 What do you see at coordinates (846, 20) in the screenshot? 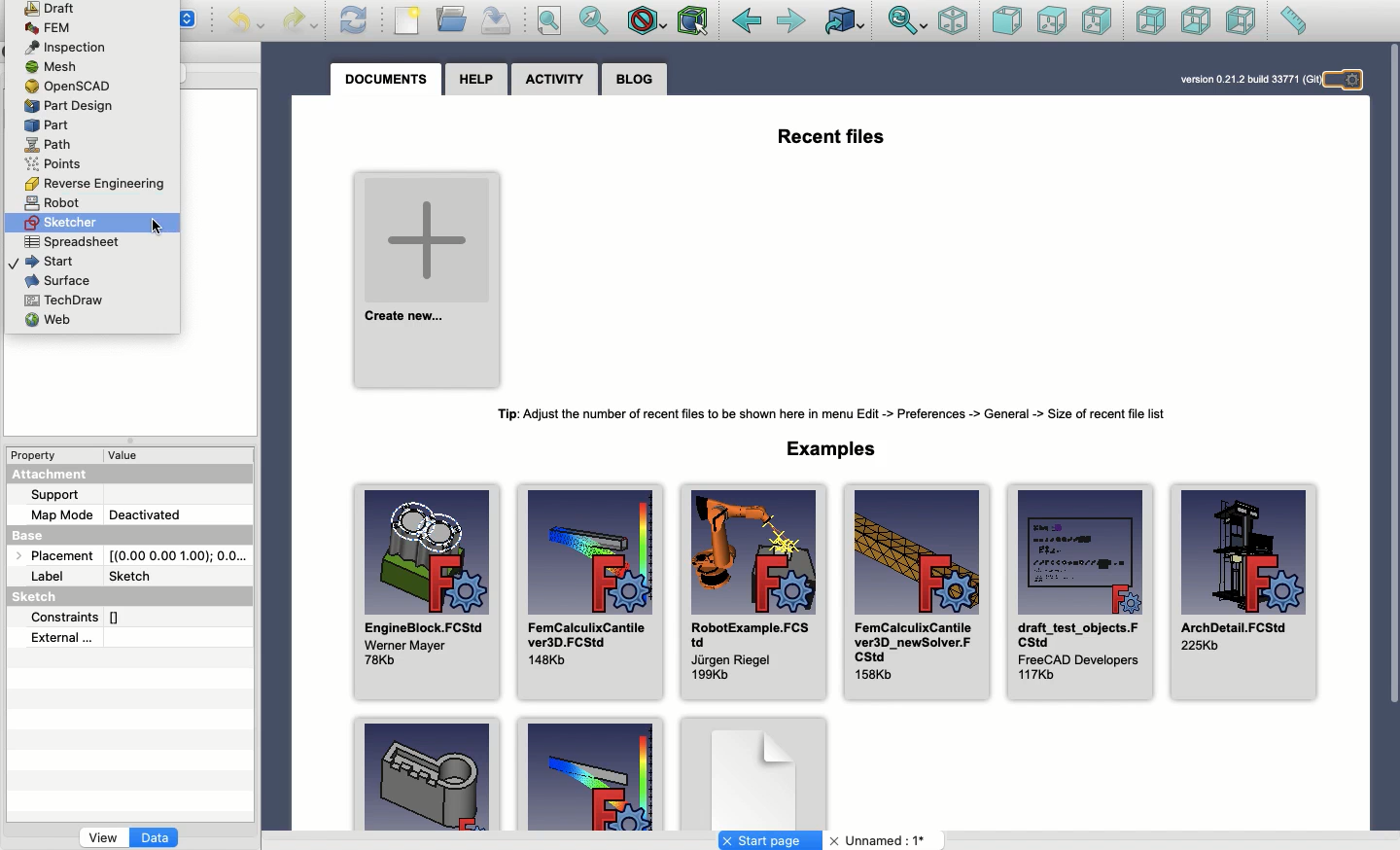
I see `Go to linked object` at bounding box center [846, 20].